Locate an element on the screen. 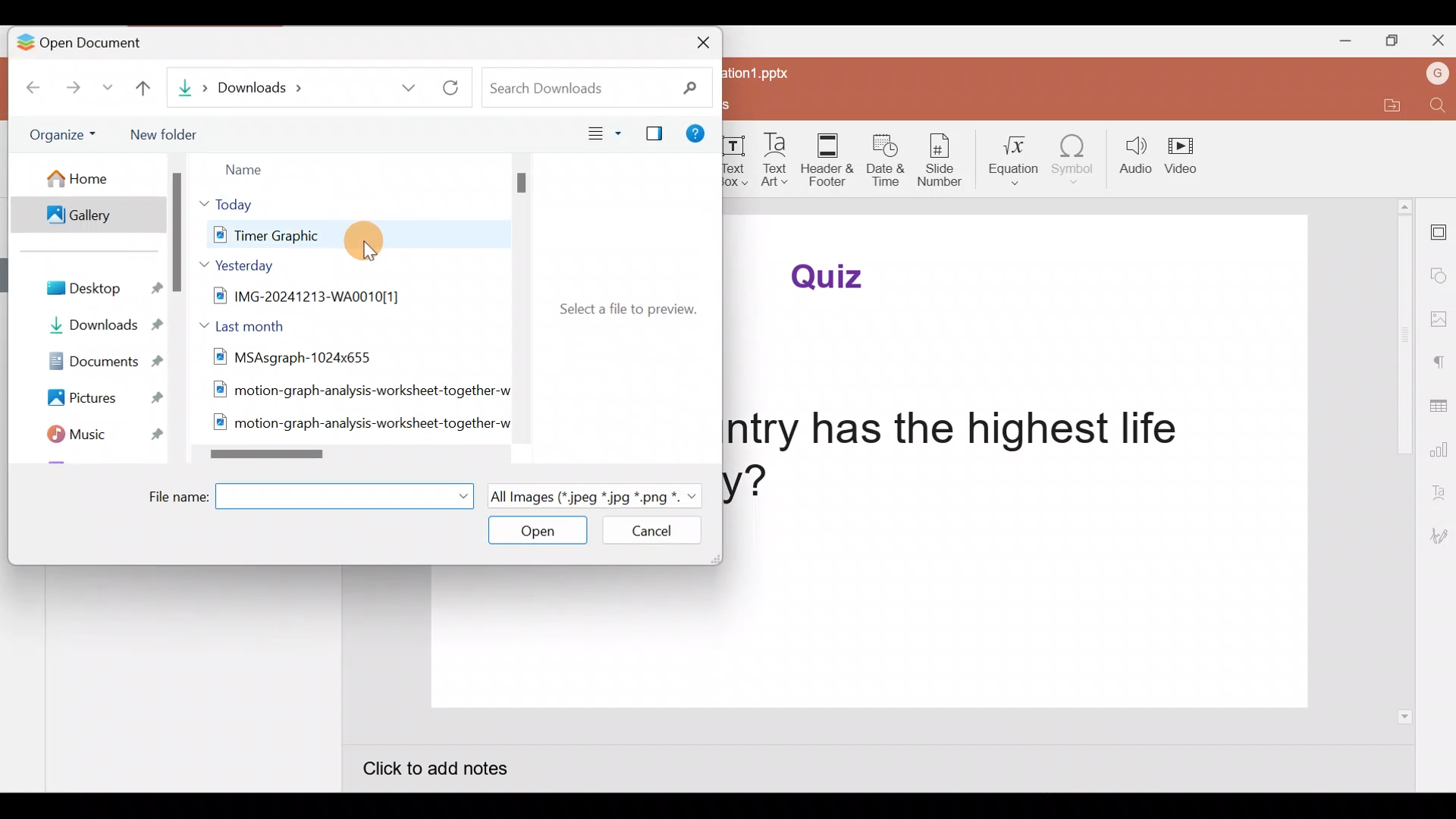 The height and width of the screenshot is (819, 1456). Desktop is located at coordinates (100, 288).